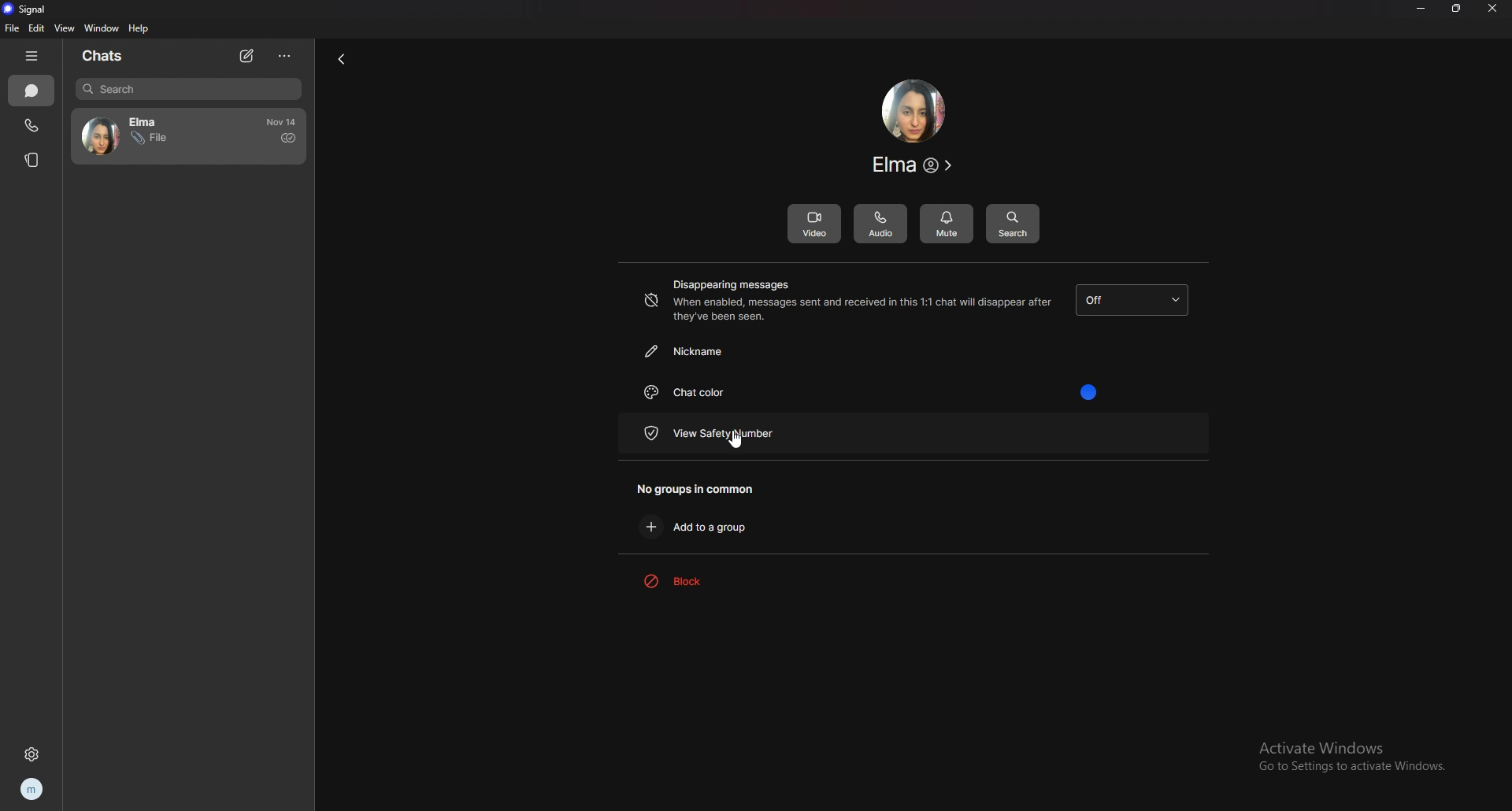  What do you see at coordinates (188, 88) in the screenshot?
I see `search messages` at bounding box center [188, 88].